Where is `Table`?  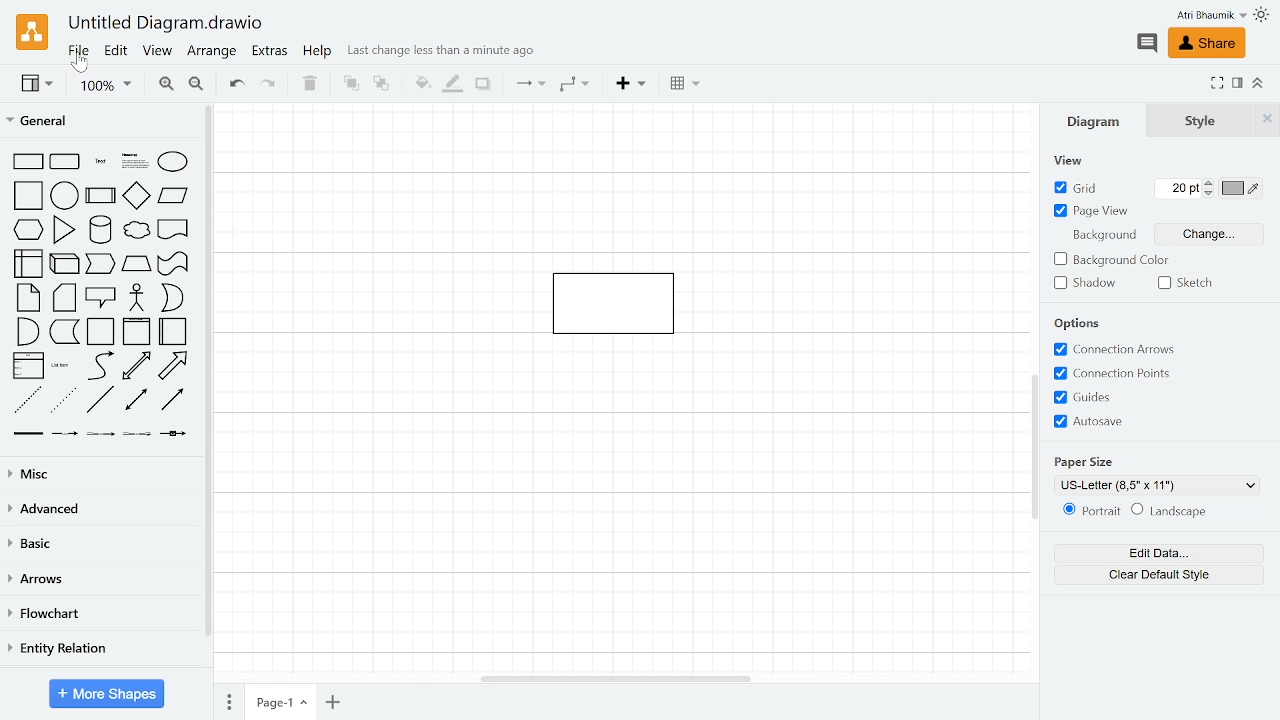 Table is located at coordinates (686, 85).